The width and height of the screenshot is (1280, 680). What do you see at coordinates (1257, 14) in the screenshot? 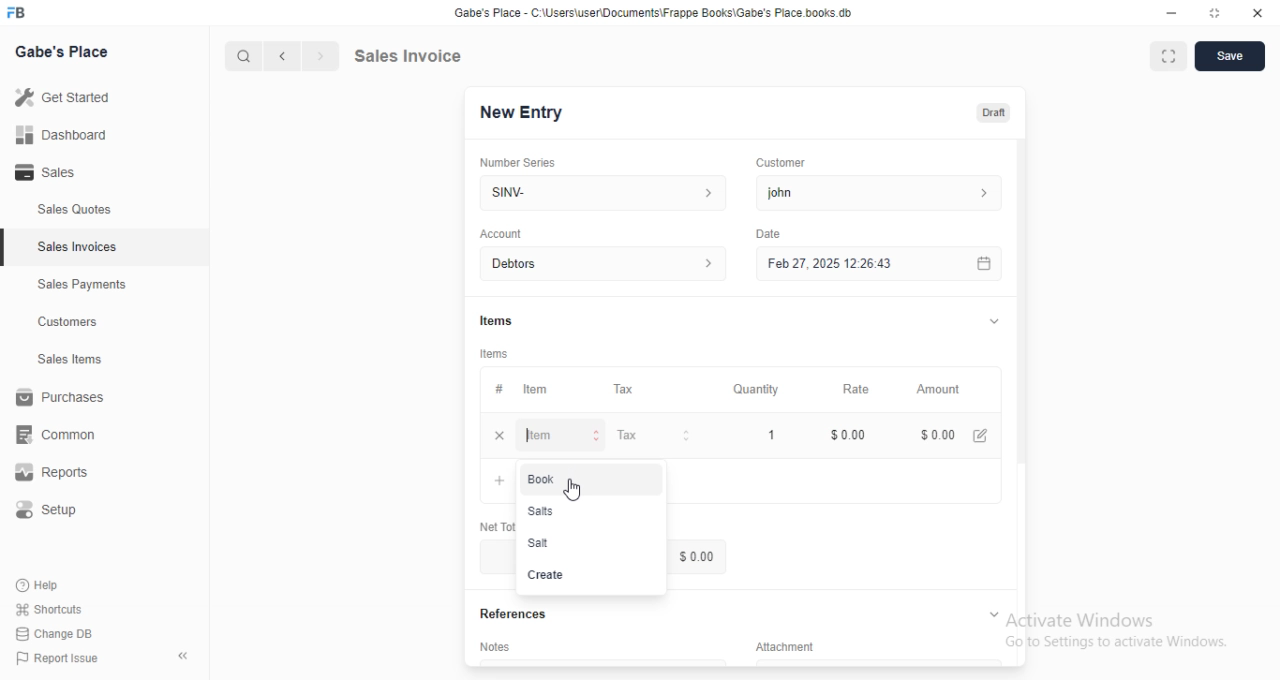
I see `Close` at bounding box center [1257, 14].